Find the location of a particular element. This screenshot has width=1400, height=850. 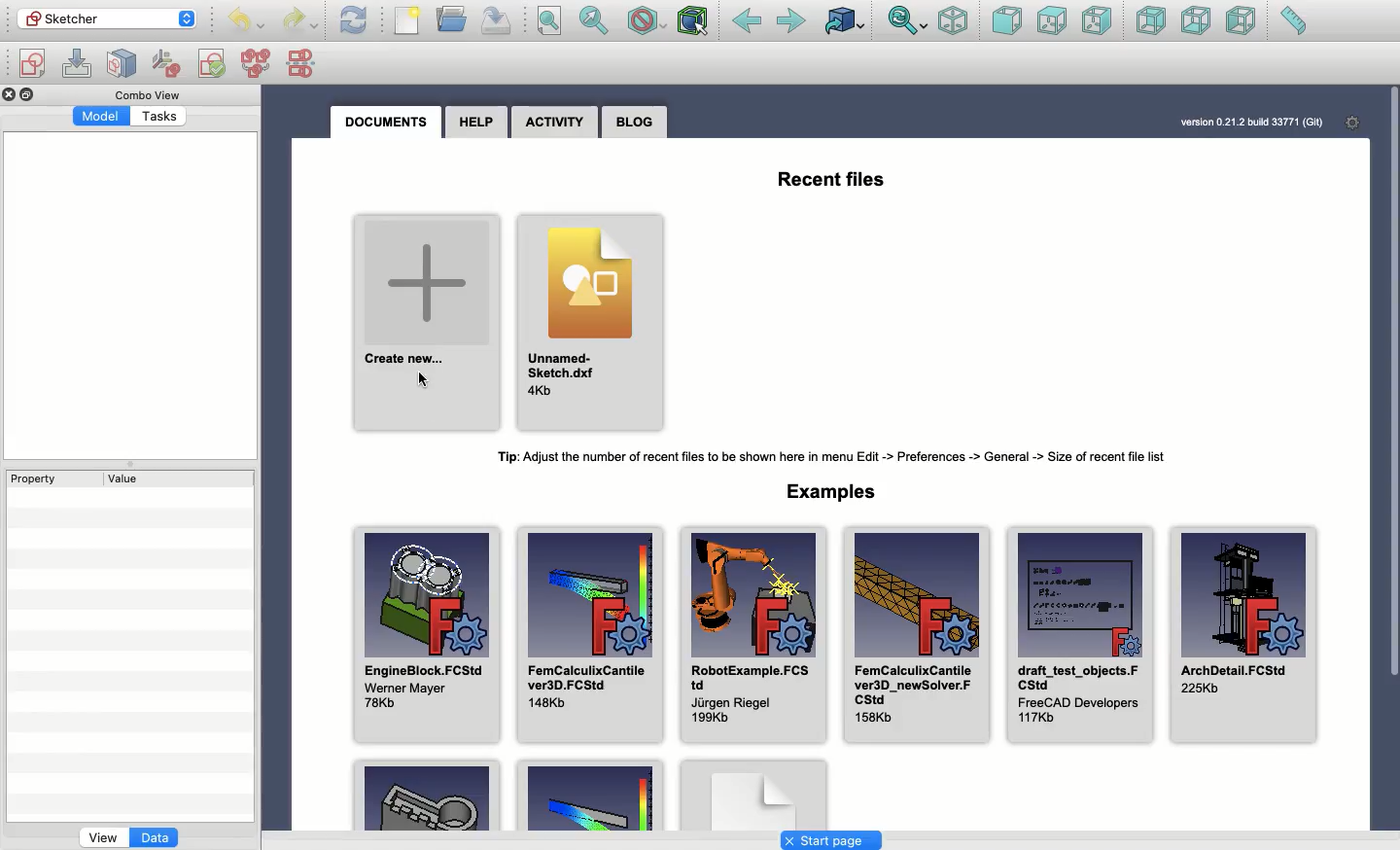

View is located at coordinates (100, 838).